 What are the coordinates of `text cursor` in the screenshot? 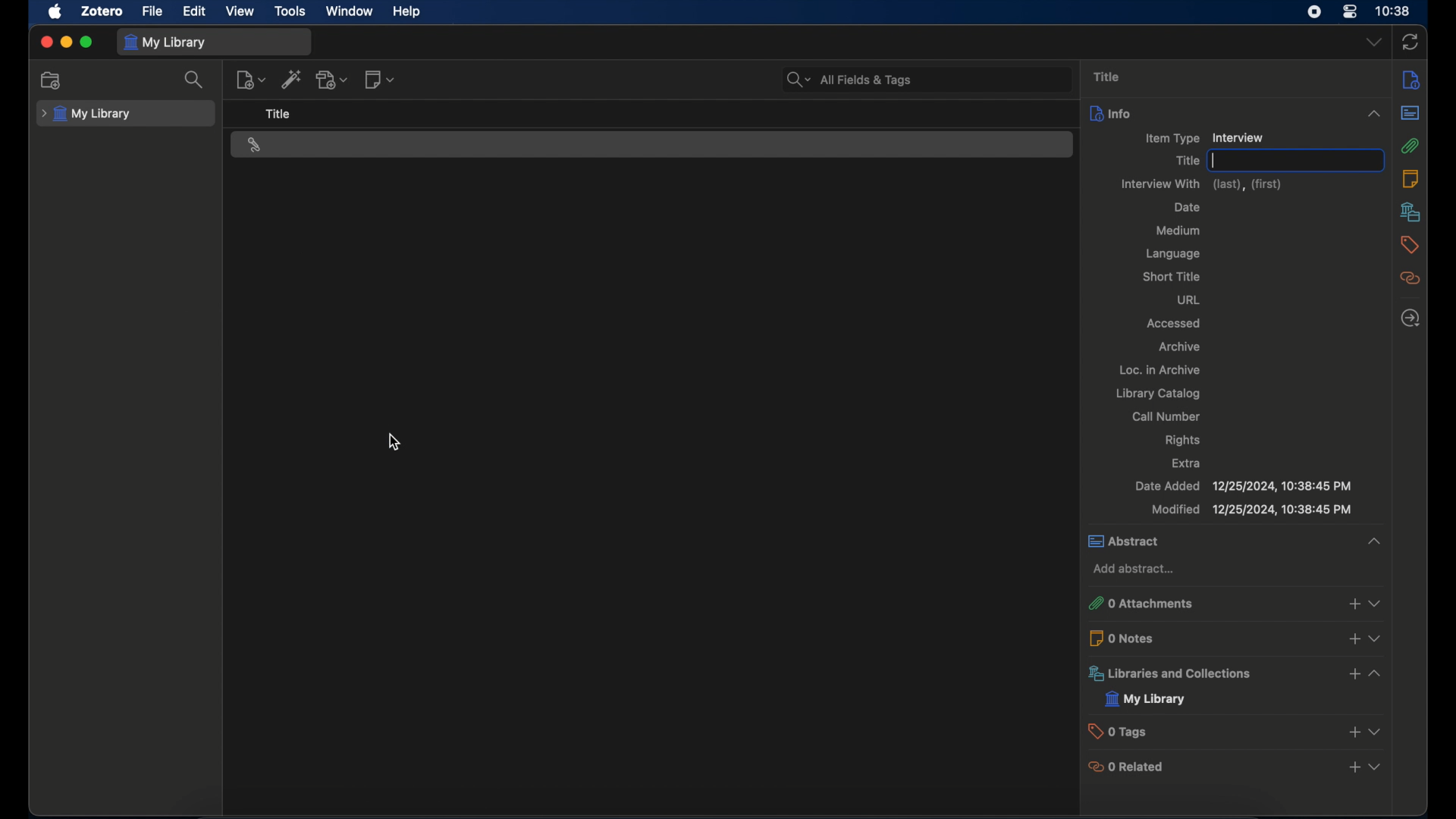 It's located at (1216, 160).